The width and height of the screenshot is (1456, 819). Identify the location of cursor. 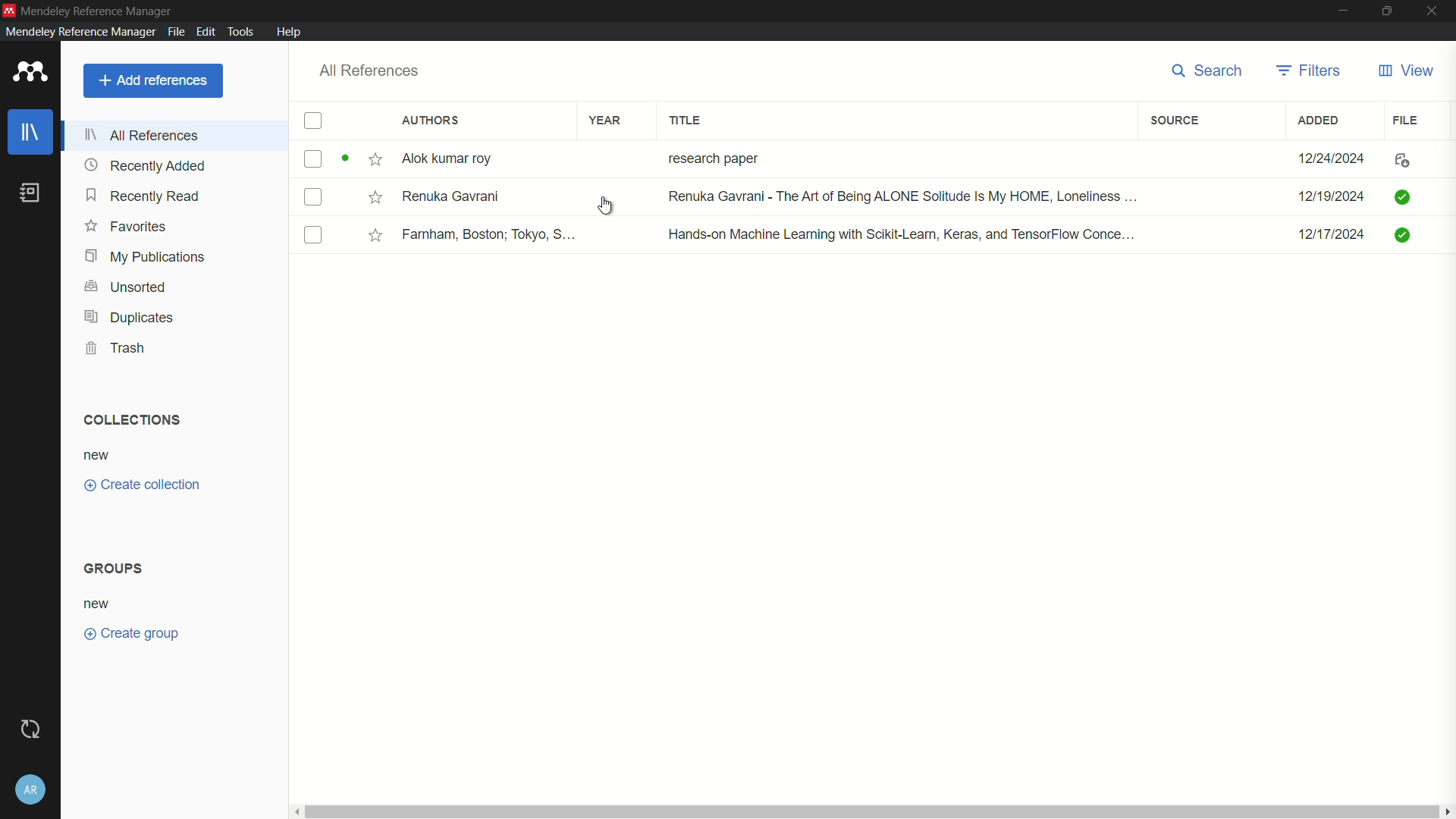
(609, 203).